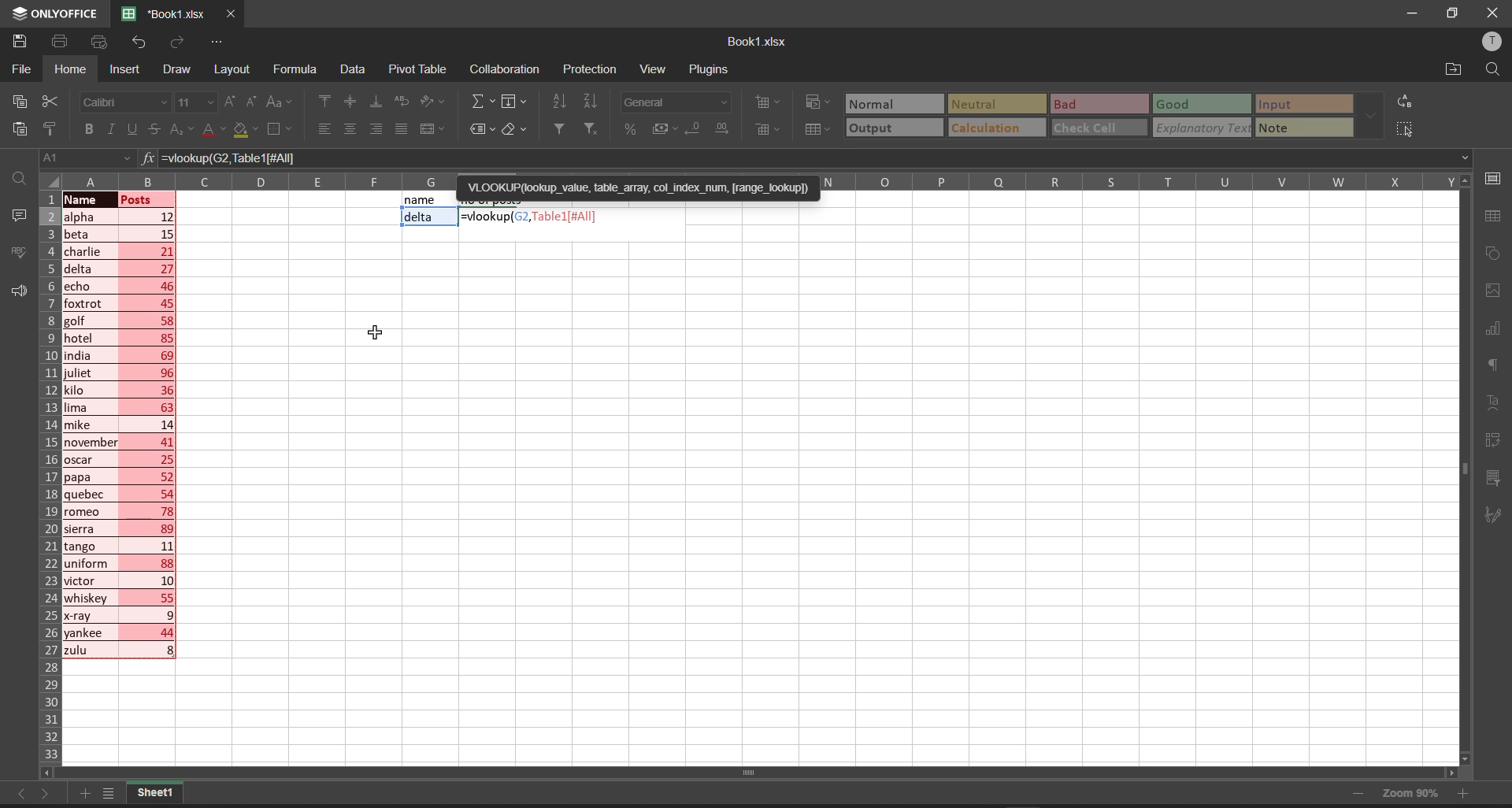 The height and width of the screenshot is (808, 1512). What do you see at coordinates (46, 480) in the screenshot?
I see `row names` at bounding box center [46, 480].